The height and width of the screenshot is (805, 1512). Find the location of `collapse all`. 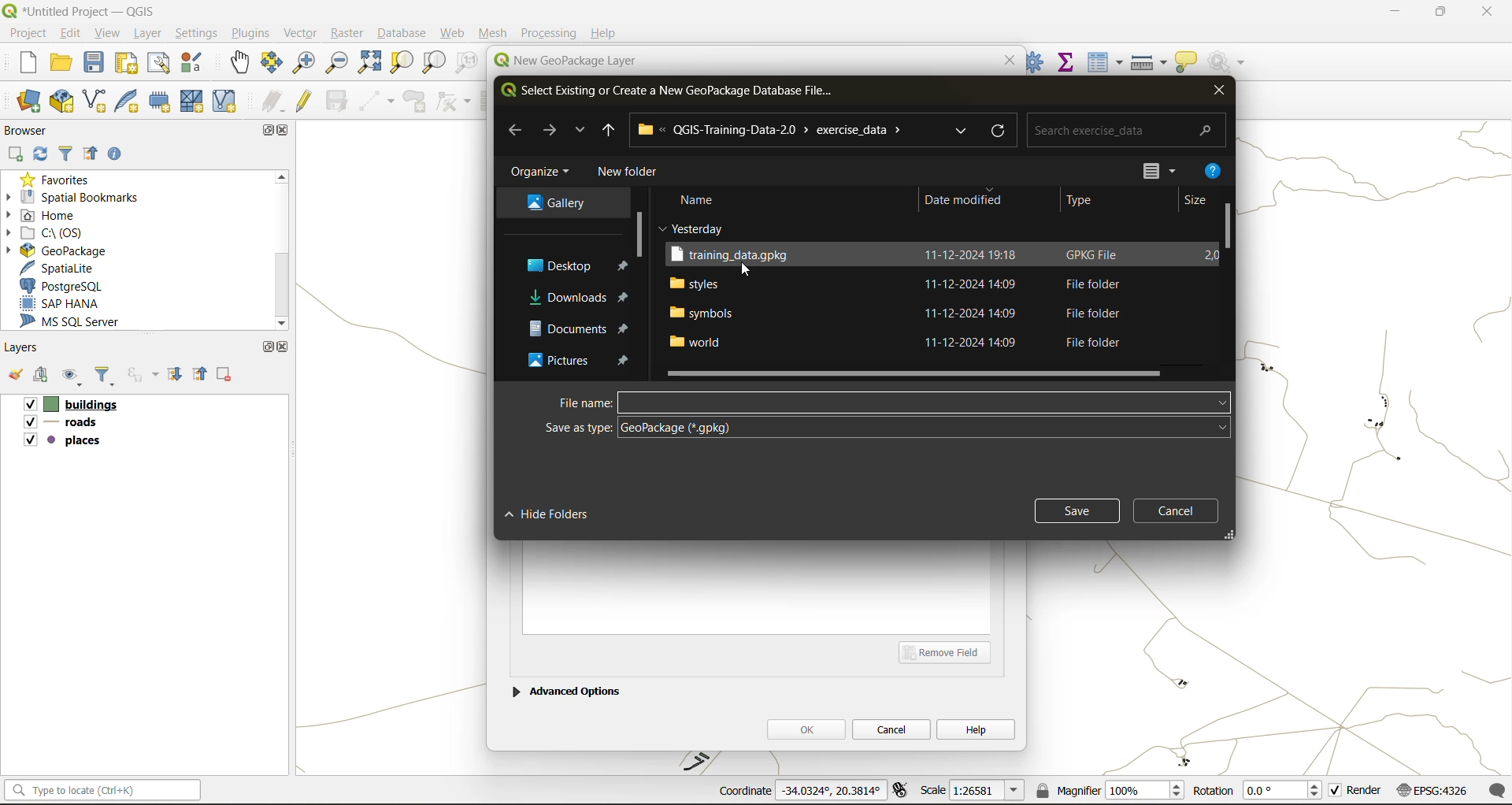

collapse all is located at coordinates (202, 373).